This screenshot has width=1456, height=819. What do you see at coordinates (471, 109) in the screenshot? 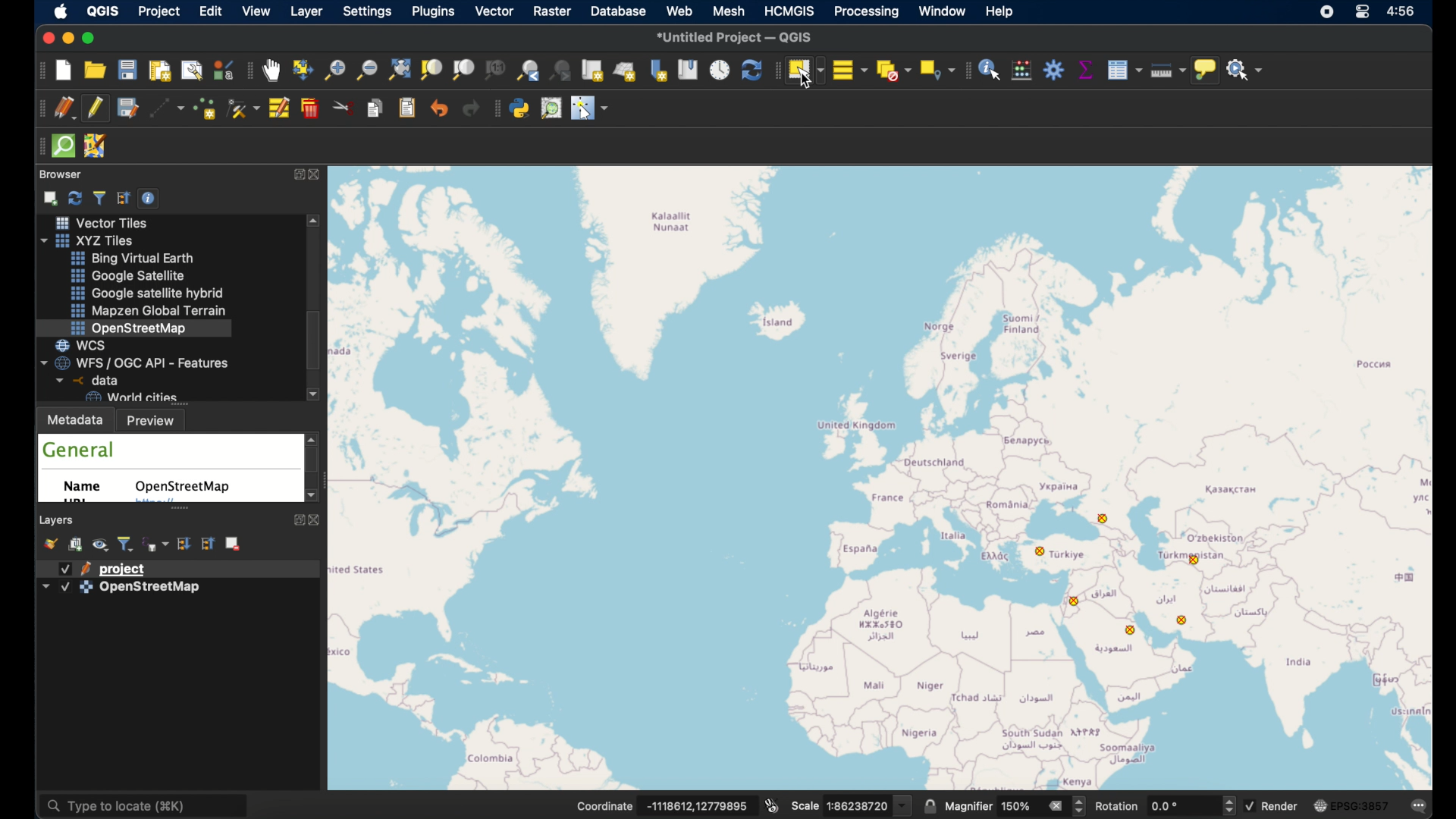
I see `redo` at bounding box center [471, 109].